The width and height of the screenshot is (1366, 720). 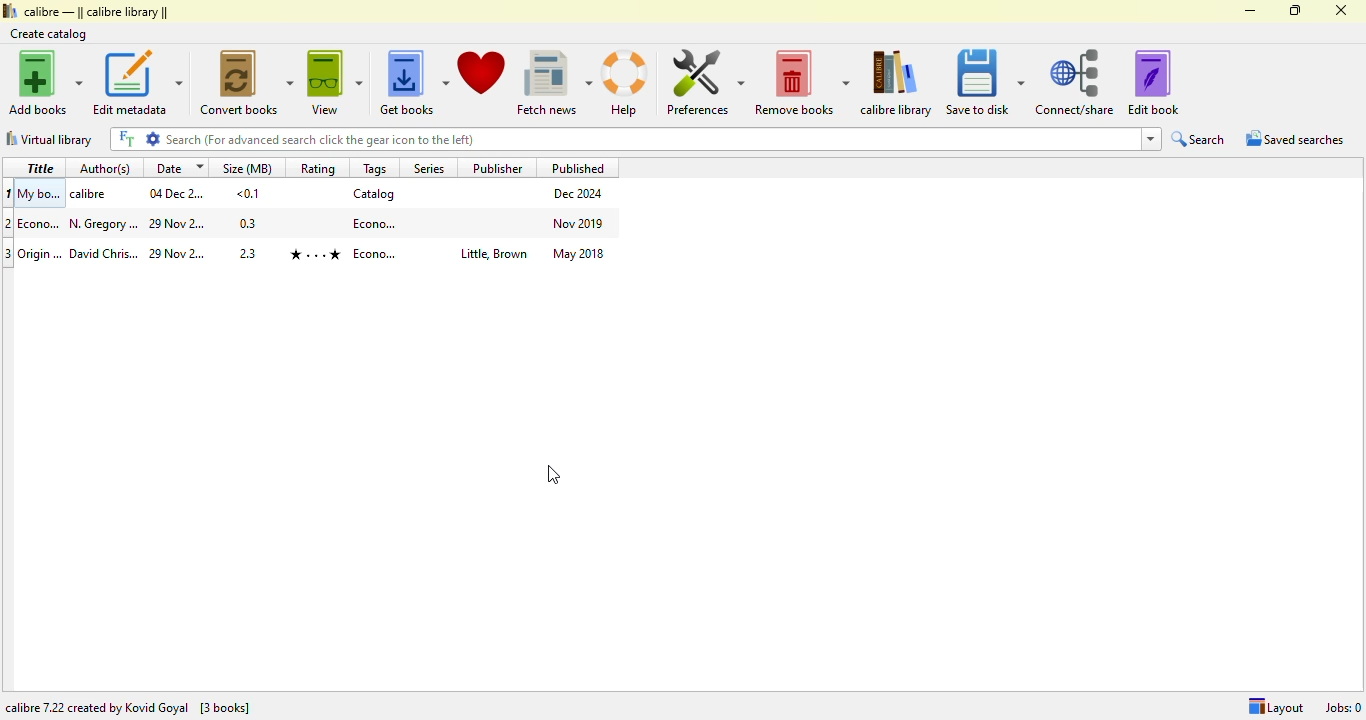 I want to click on connect/share, so click(x=1076, y=83).